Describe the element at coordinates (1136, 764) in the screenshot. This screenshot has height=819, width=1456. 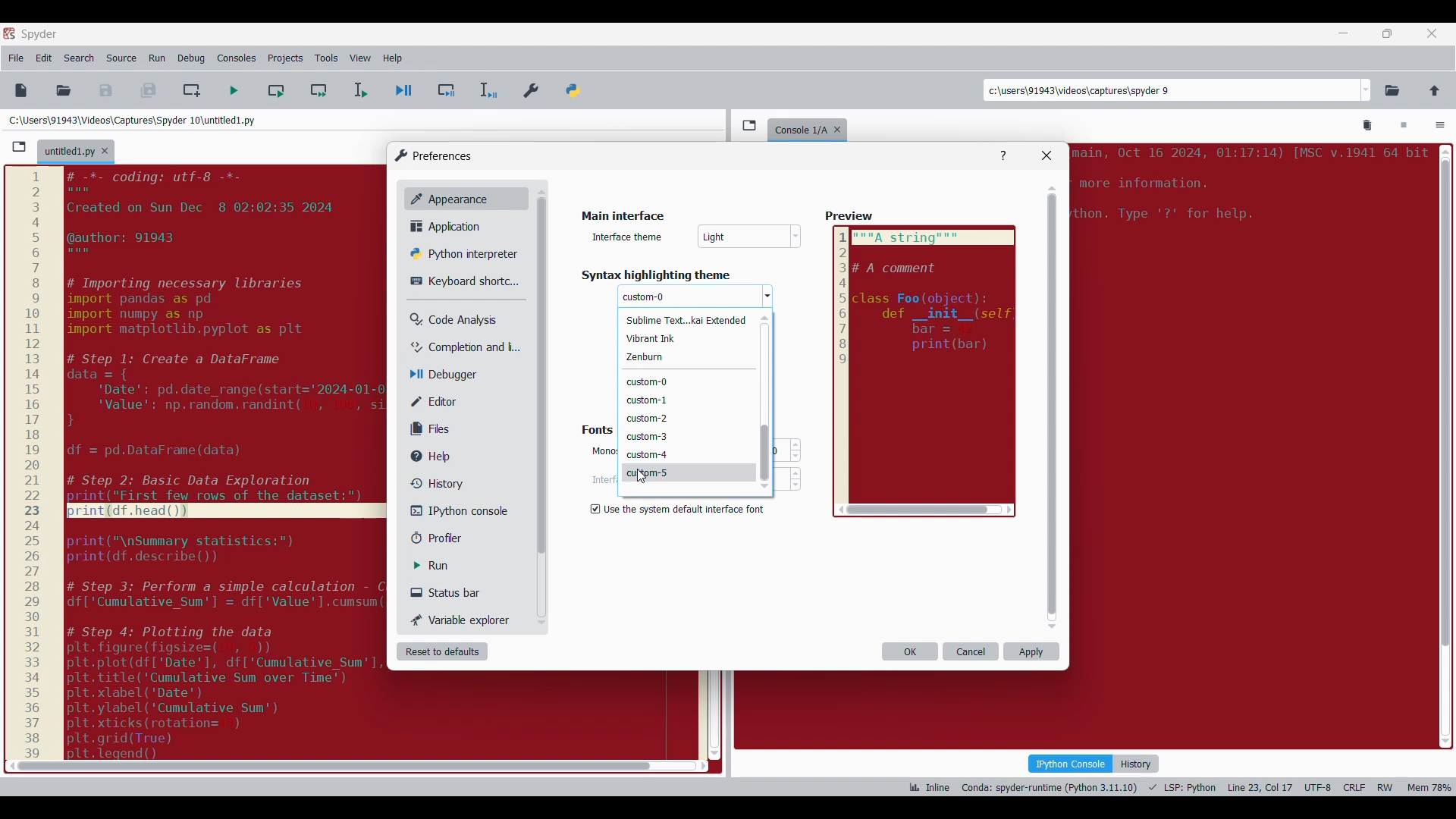
I see `History` at that location.